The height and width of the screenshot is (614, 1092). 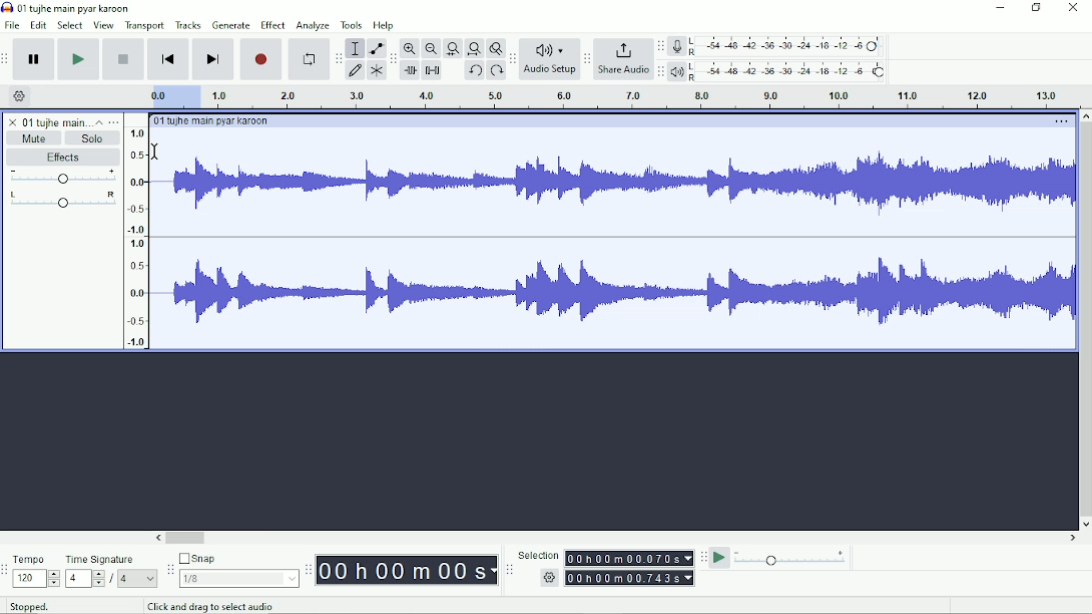 I want to click on 01 tujhe main, so click(x=56, y=123).